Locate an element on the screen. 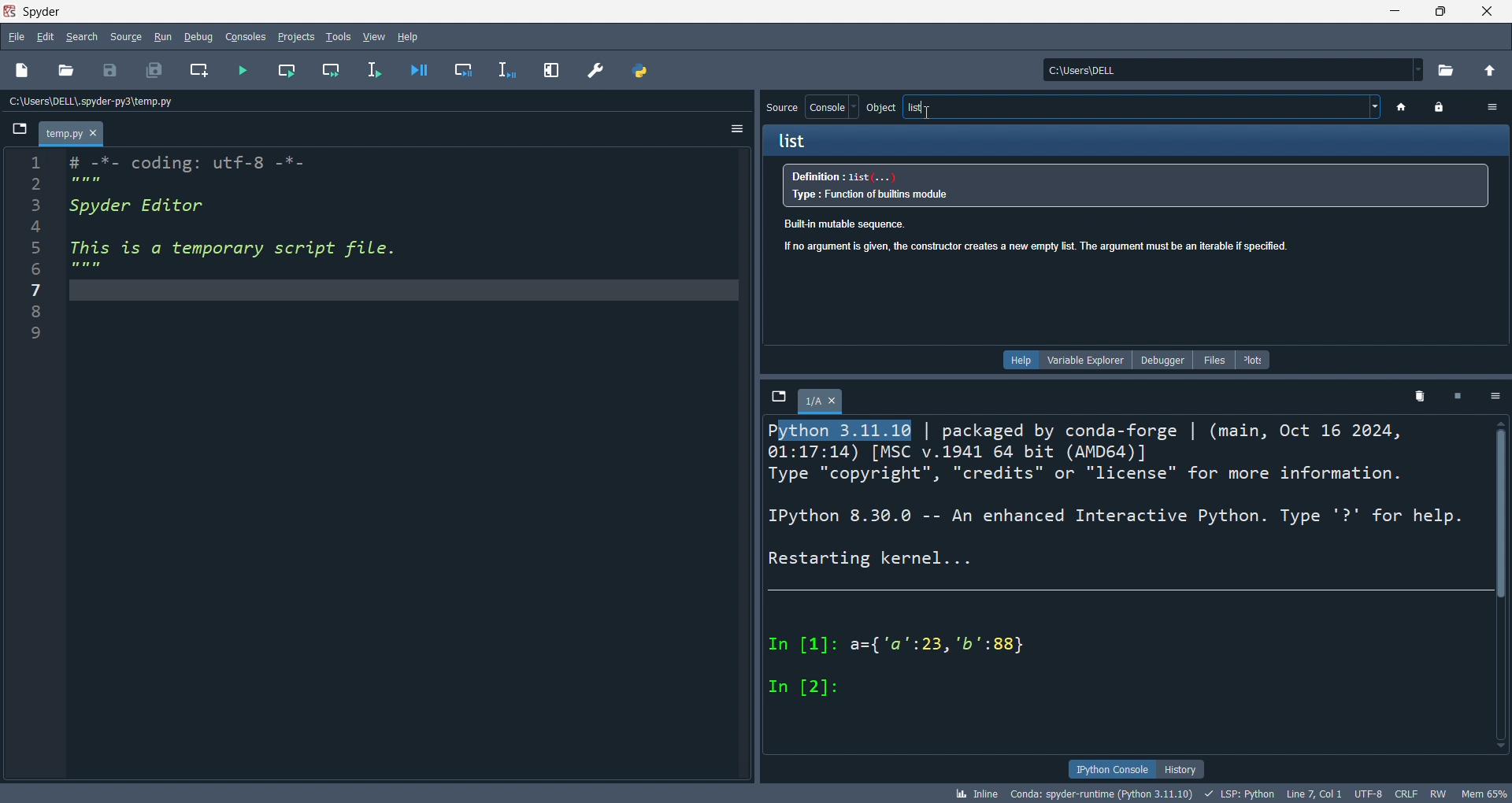 This screenshot has height=803, width=1512. conda: spyder-runtime (Python 3.11.10) is located at coordinates (1105, 794).